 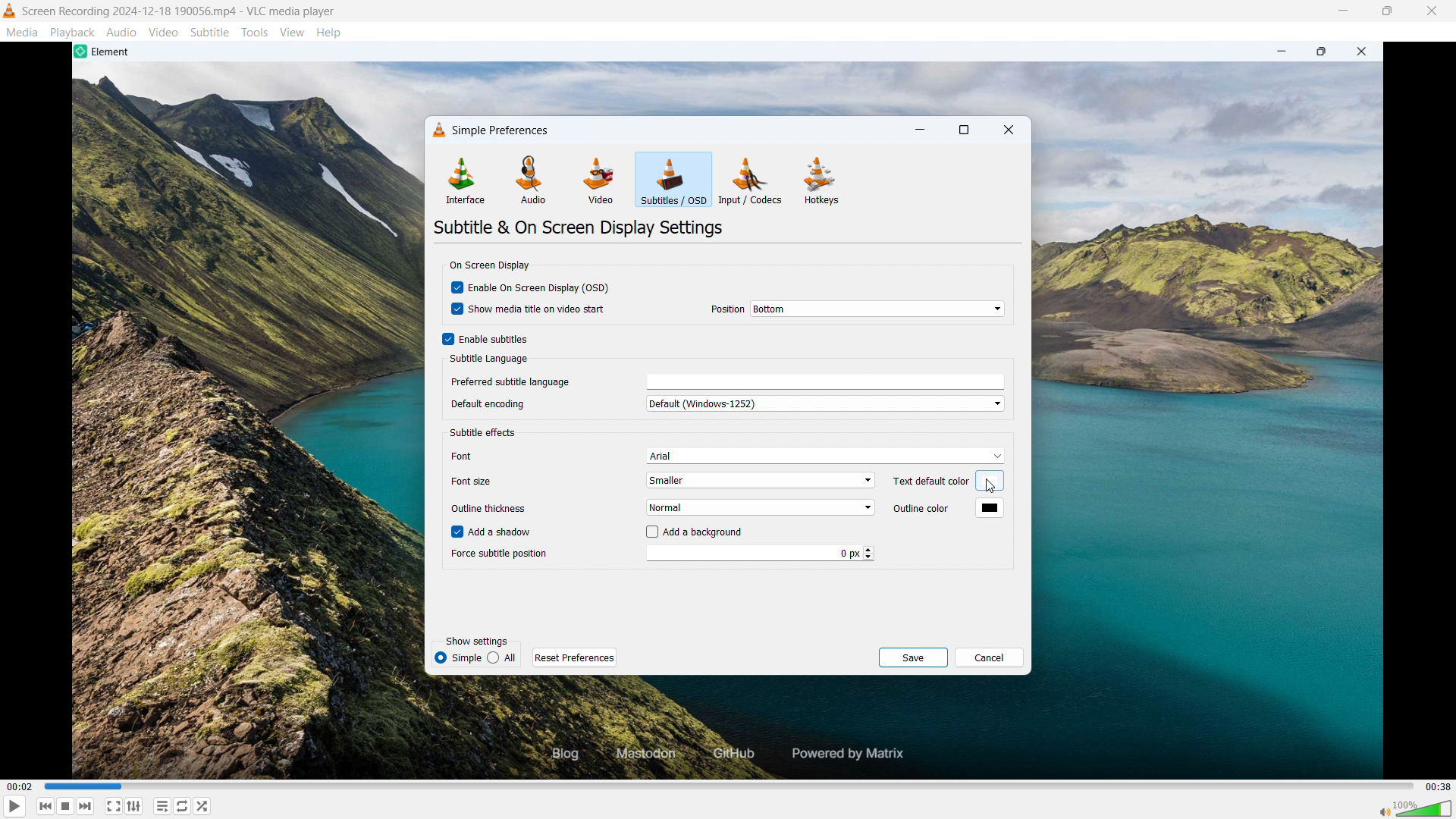 What do you see at coordinates (877, 309) in the screenshot?
I see `Set position ` at bounding box center [877, 309].